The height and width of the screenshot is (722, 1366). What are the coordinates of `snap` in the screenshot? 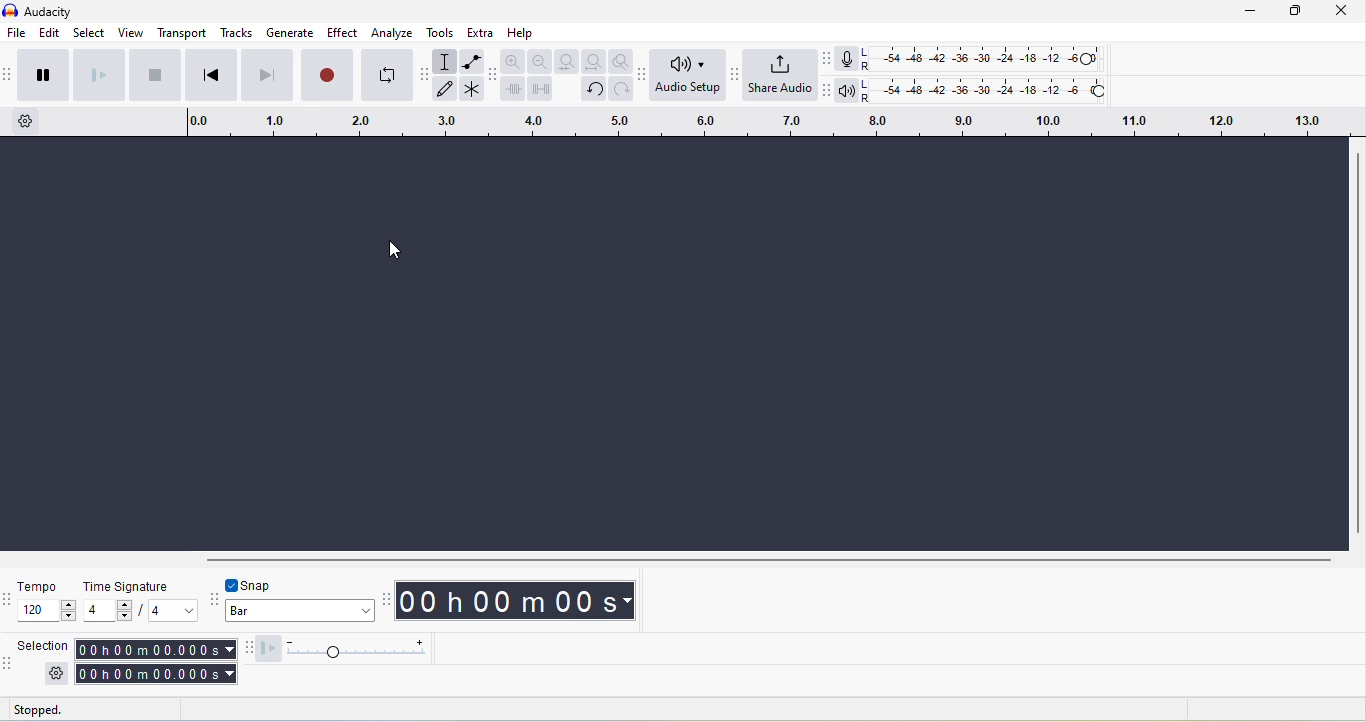 It's located at (260, 586).